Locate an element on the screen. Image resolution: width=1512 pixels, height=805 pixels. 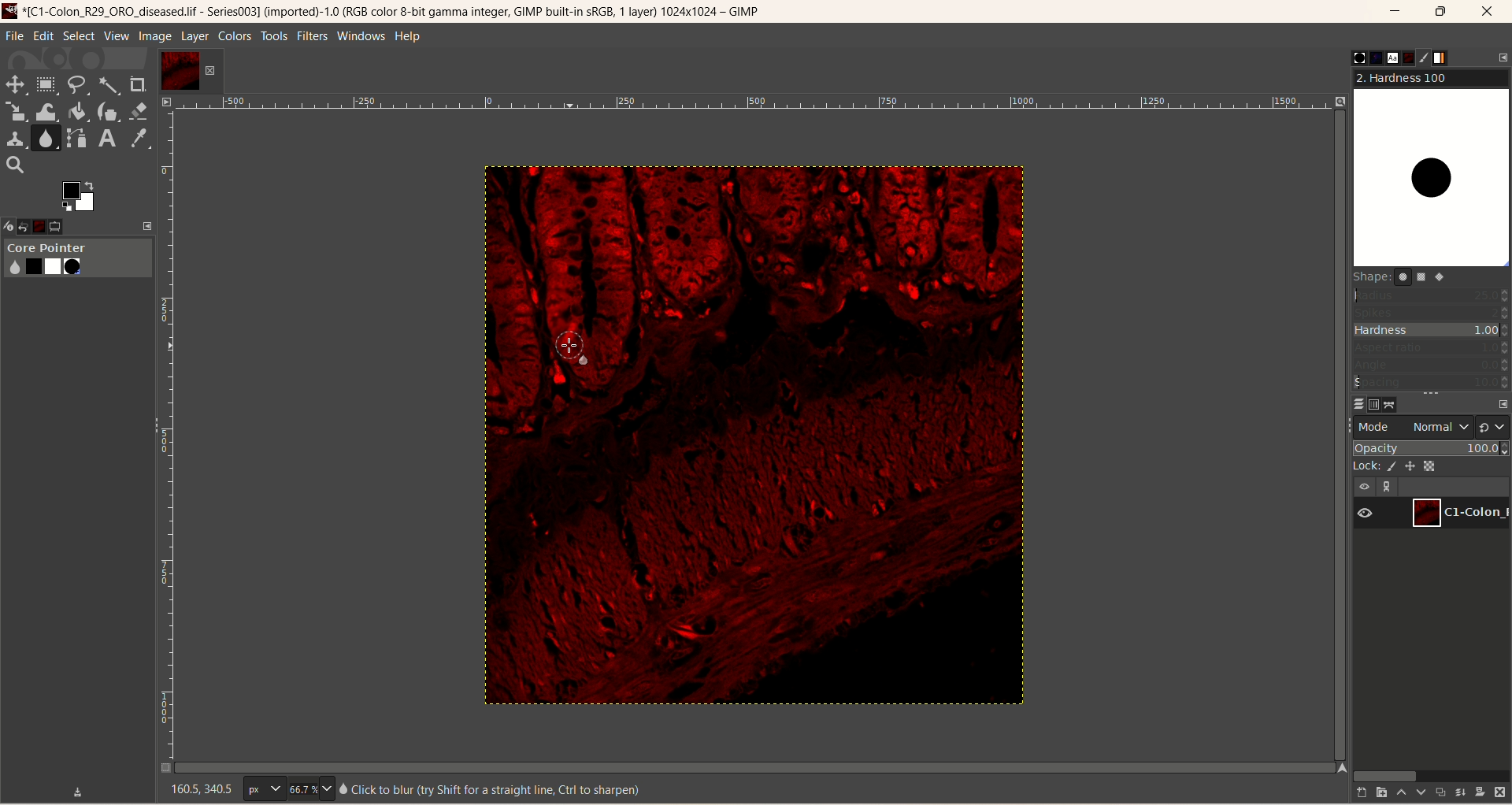
scale bar is located at coordinates (754, 105).